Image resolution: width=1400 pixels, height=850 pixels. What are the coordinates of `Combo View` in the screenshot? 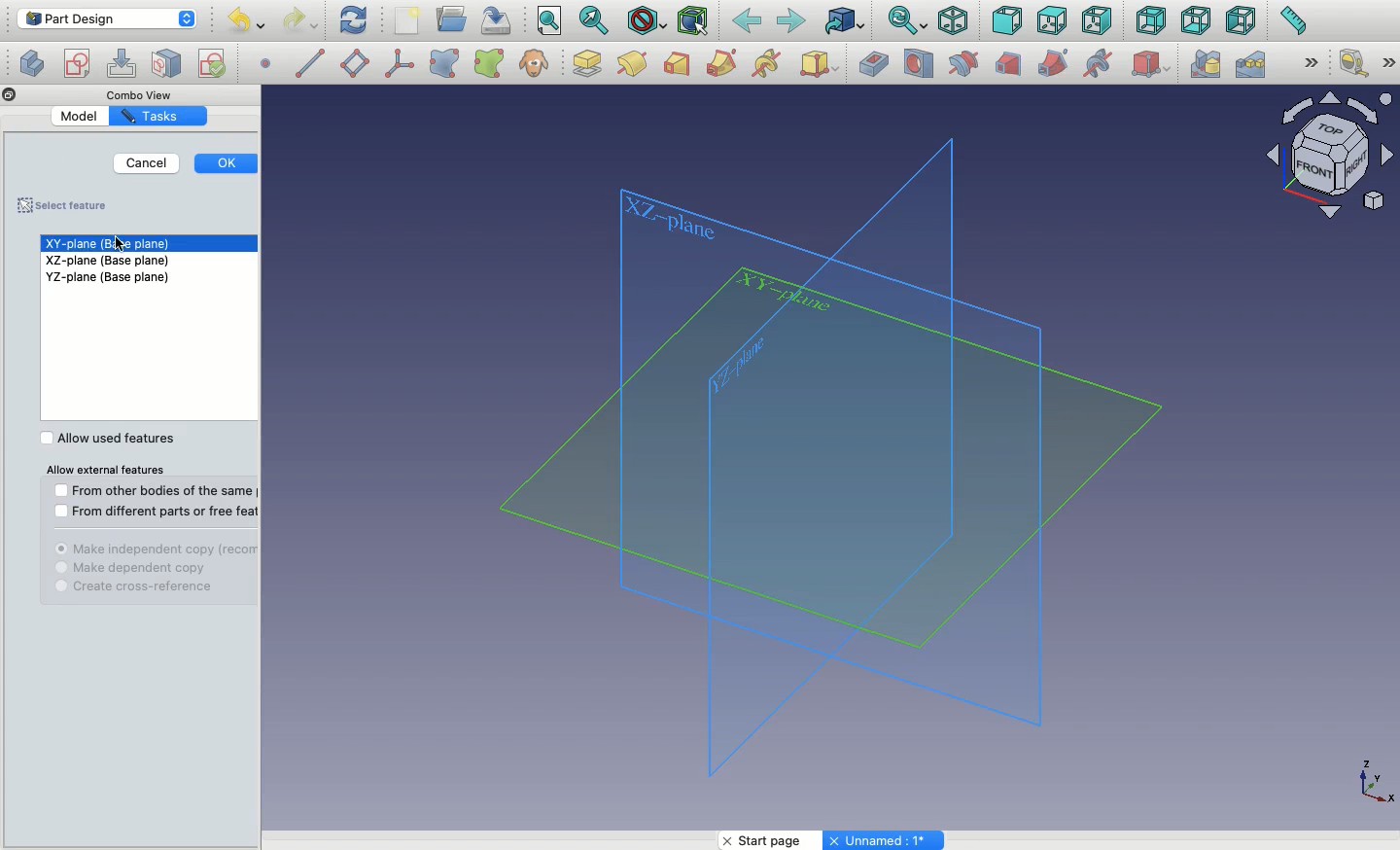 It's located at (140, 95).